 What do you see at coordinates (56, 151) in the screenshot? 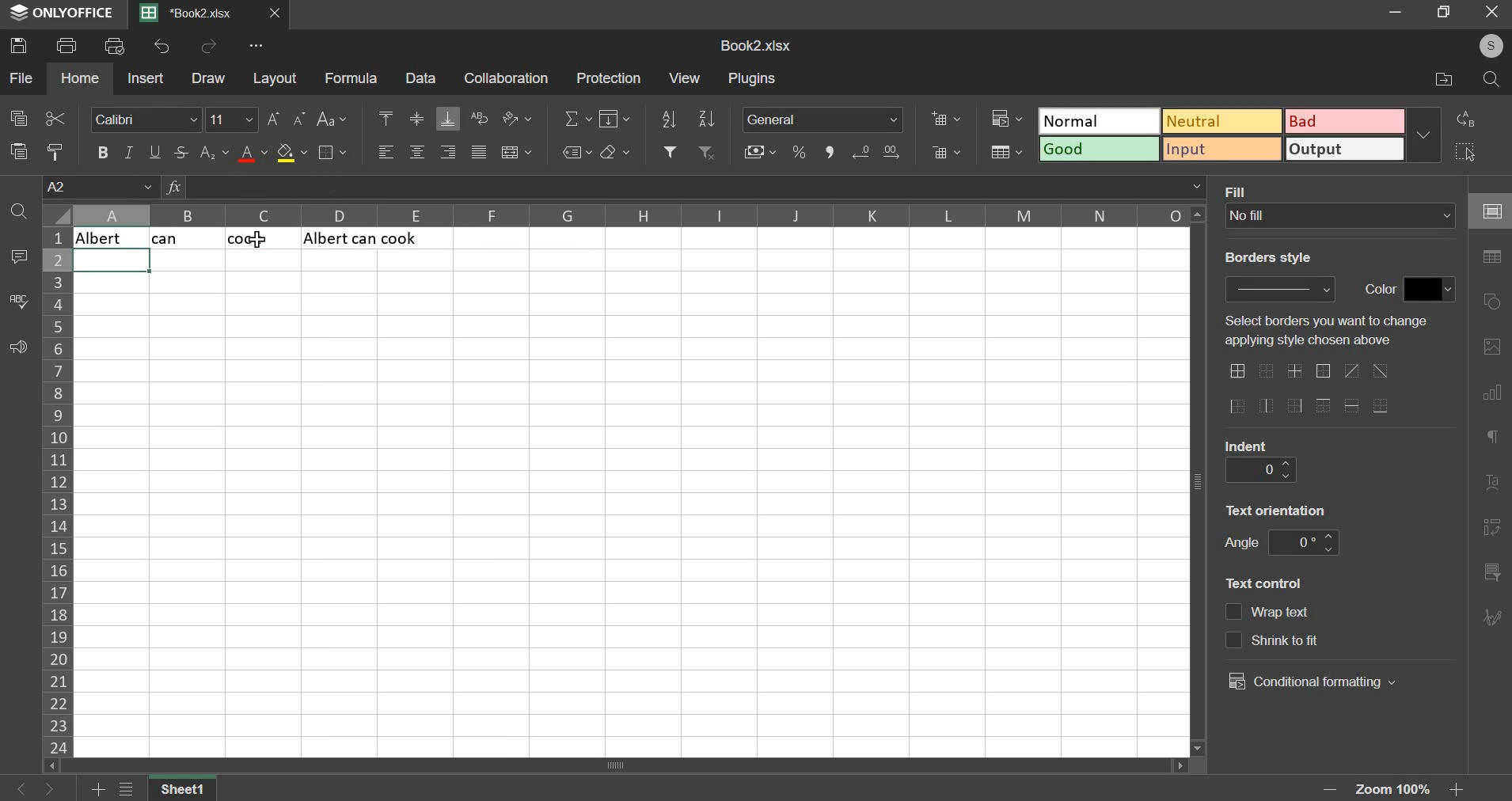
I see `copy style` at bounding box center [56, 151].